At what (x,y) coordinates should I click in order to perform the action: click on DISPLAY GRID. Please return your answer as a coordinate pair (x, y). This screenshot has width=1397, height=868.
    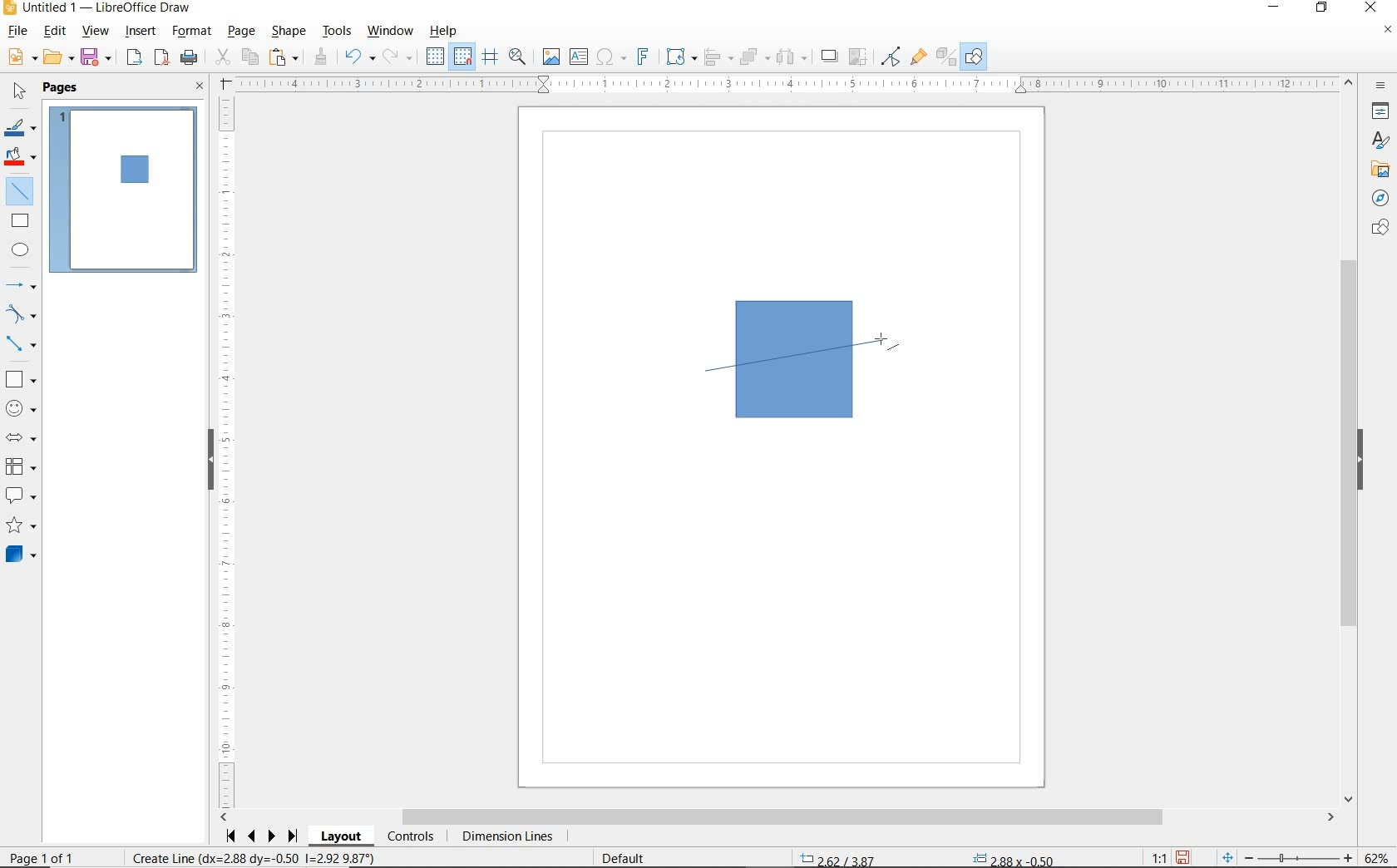
    Looking at the image, I should click on (437, 57).